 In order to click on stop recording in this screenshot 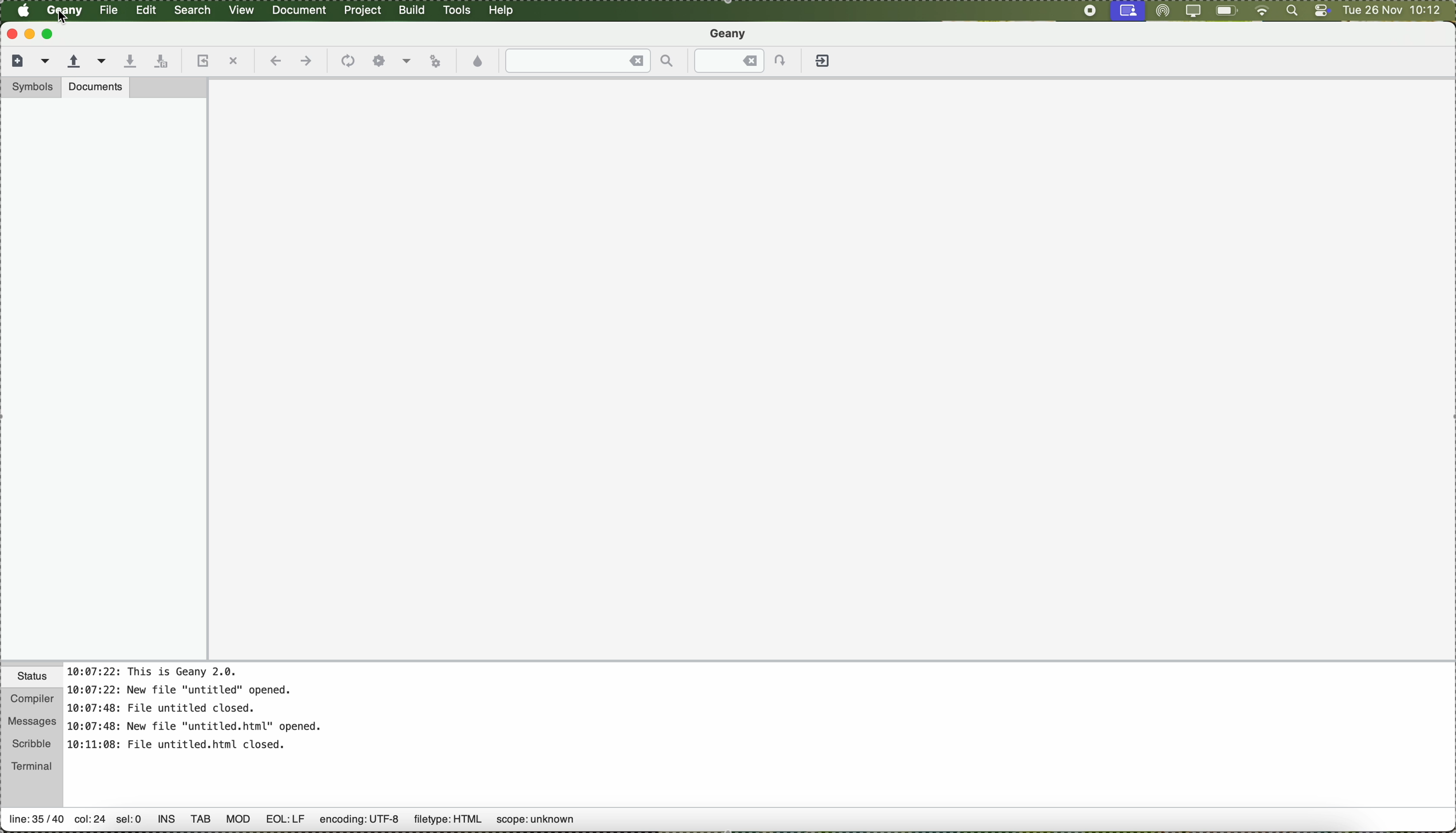, I will do `click(1088, 11)`.